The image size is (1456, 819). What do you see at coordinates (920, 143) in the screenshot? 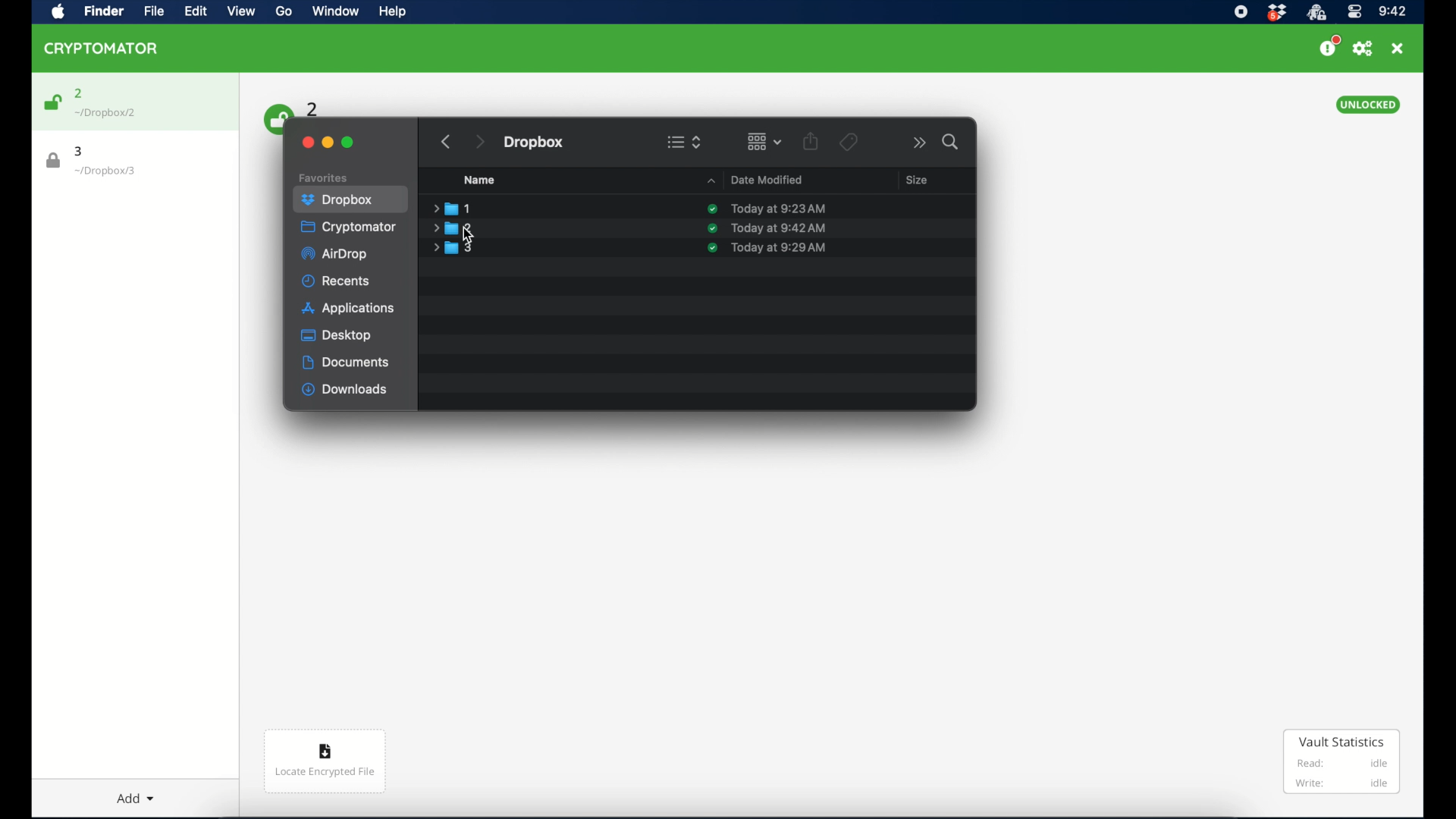
I see `more options` at bounding box center [920, 143].